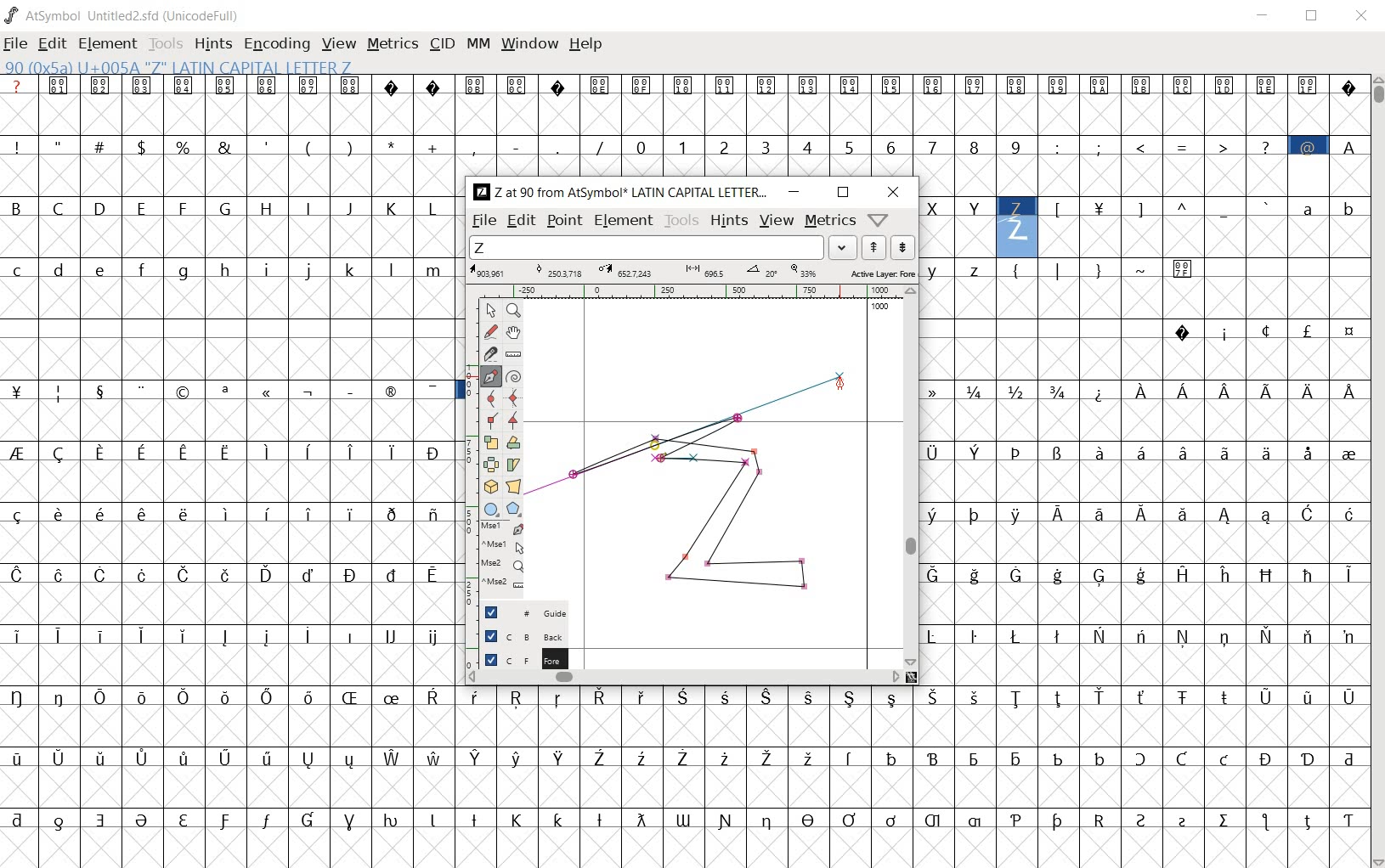 The image size is (1385, 868). Describe the element at coordinates (513, 487) in the screenshot. I see `perform a perspective transformation on the selection` at that location.